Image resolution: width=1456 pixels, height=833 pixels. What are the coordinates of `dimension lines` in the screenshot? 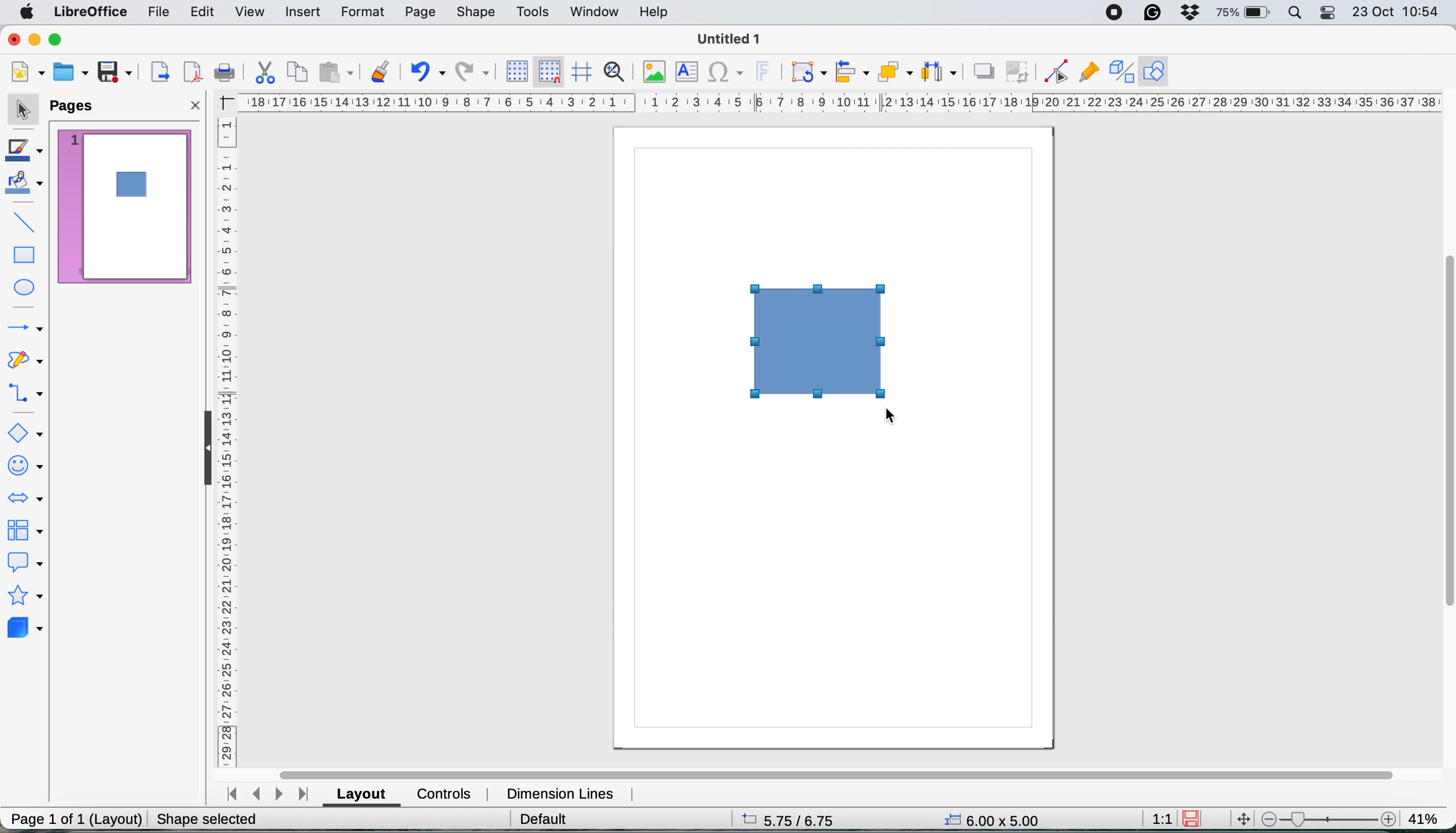 It's located at (562, 792).